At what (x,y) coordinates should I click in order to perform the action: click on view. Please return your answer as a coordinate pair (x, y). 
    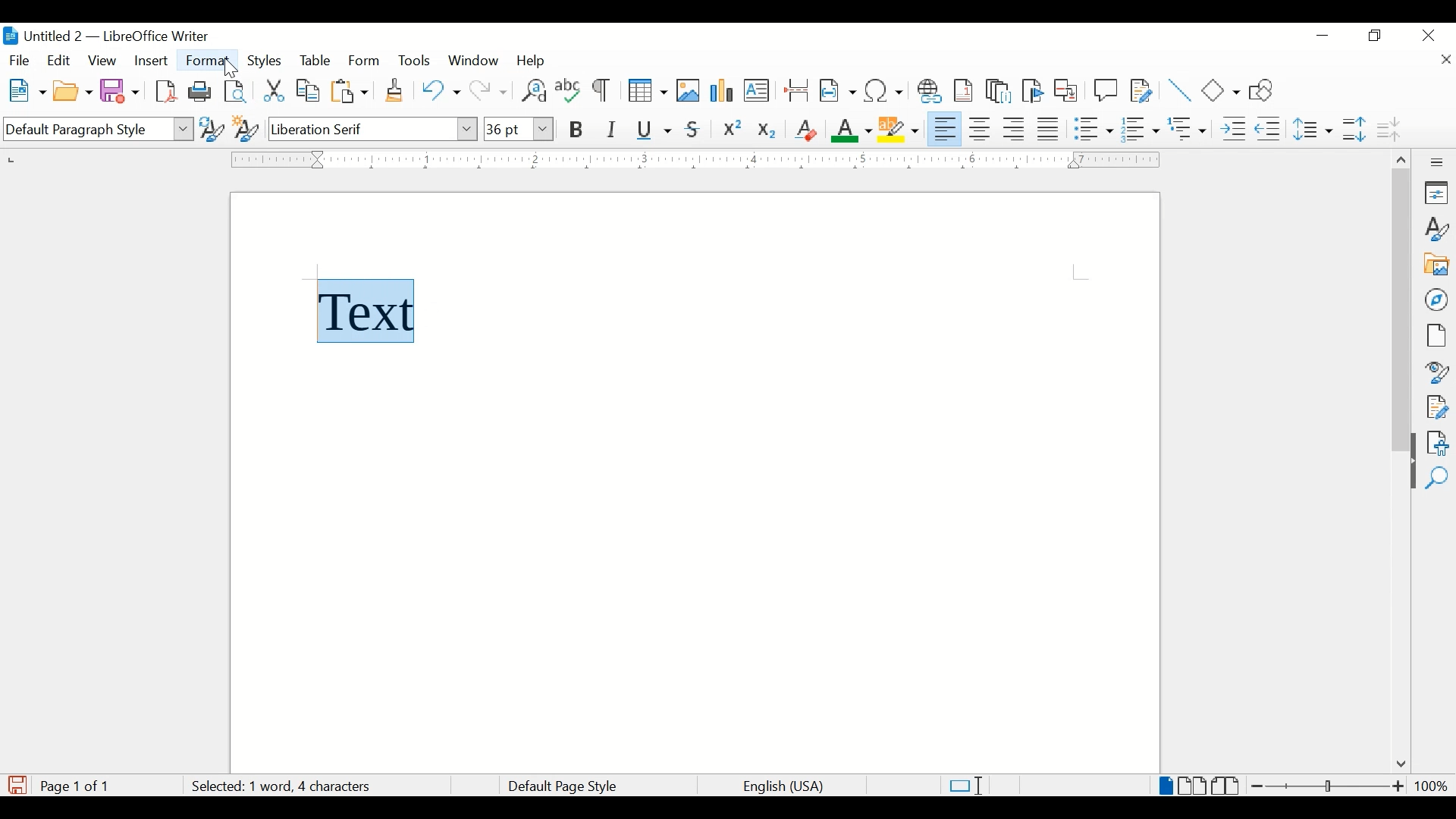
    Looking at the image, I should click on (104, 61).